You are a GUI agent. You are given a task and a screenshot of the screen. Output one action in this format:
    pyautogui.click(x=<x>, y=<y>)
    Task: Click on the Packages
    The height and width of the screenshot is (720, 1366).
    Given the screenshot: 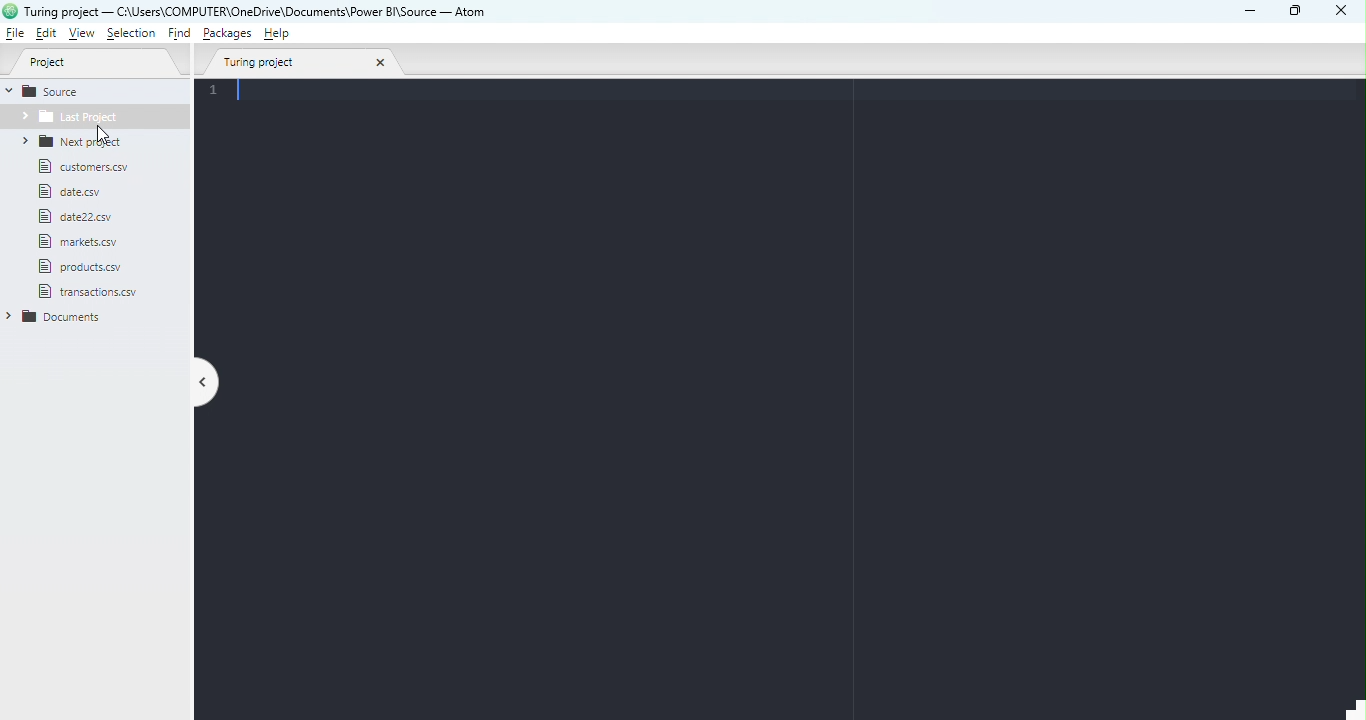 What is the action you would take?
    pyautogui.click(x=229, y=33)
    